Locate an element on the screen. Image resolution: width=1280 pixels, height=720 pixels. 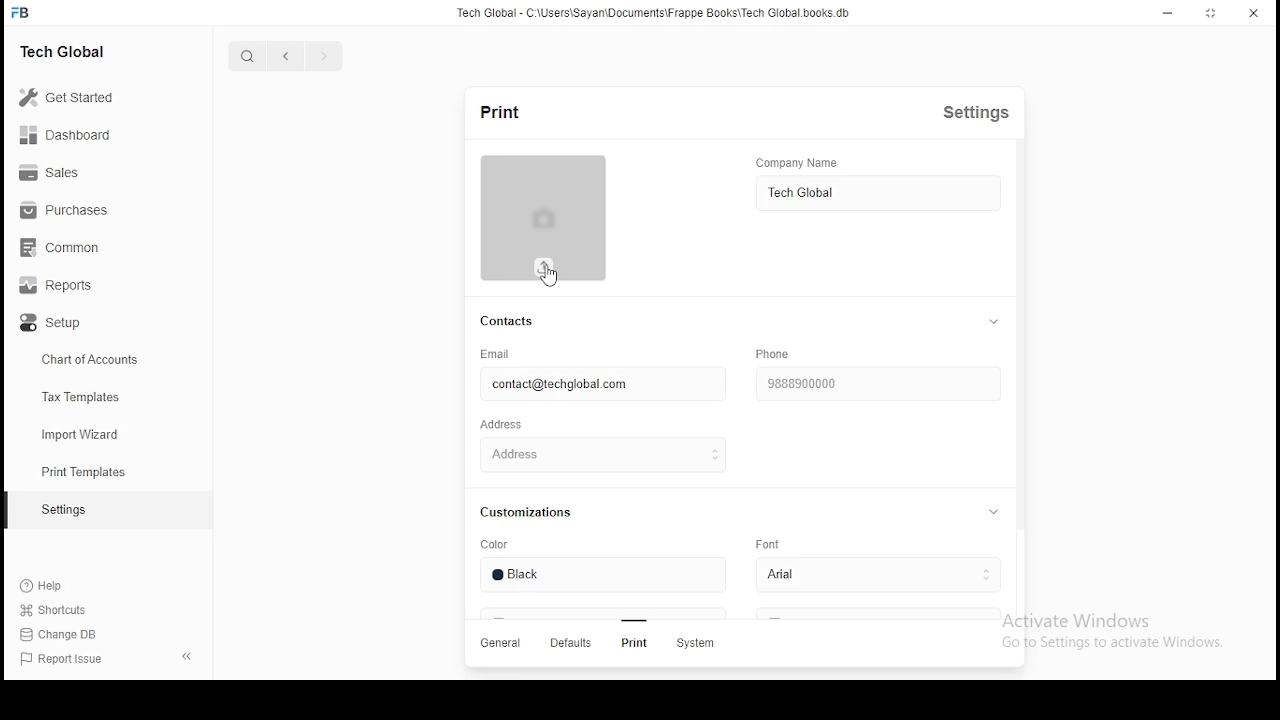
change DB is located at coordinates (54, 637).